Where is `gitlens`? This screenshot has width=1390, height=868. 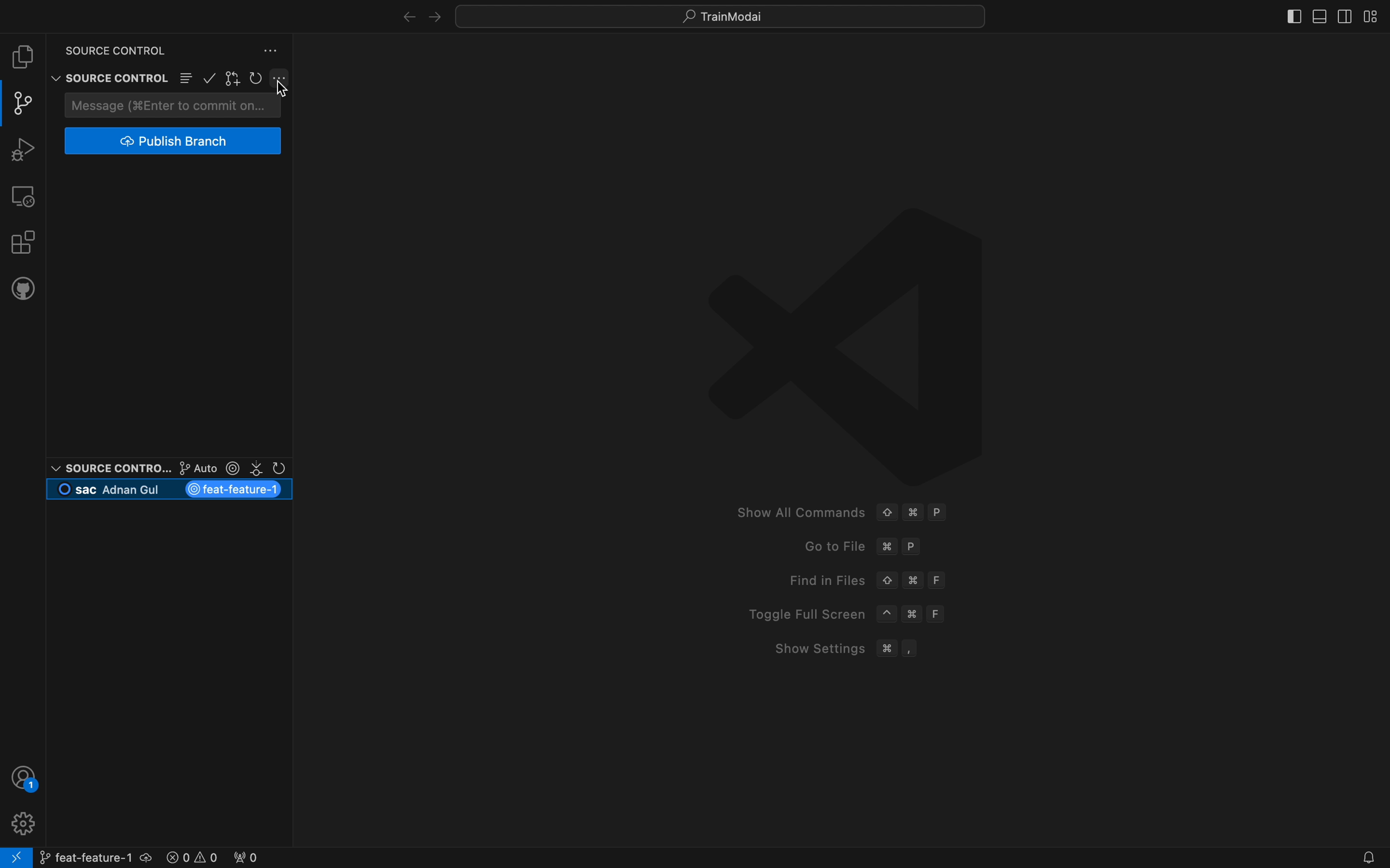 gitlens is located at coordinates (234, 79).